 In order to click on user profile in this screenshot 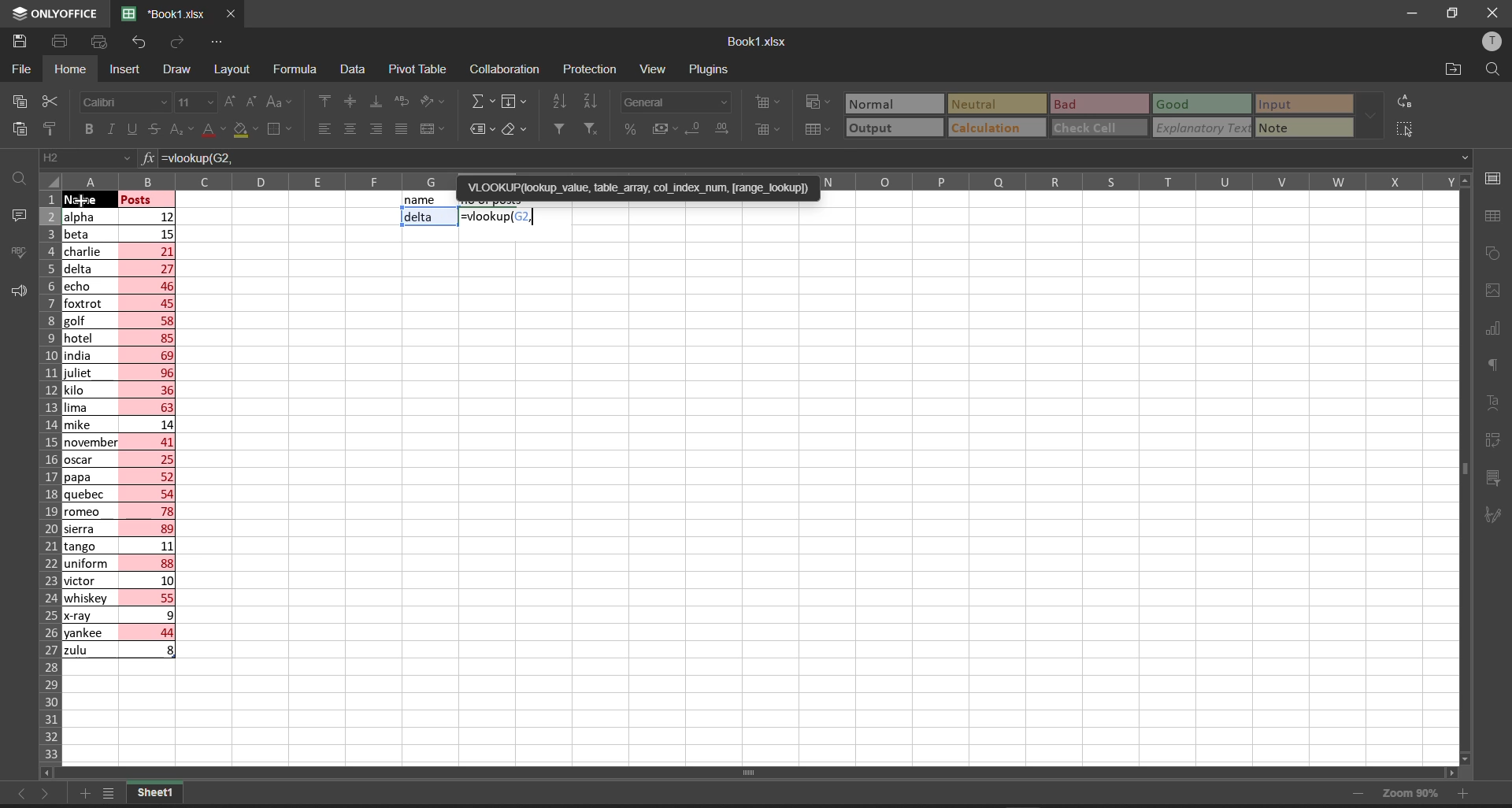, I will do `click(1494, 41)`.